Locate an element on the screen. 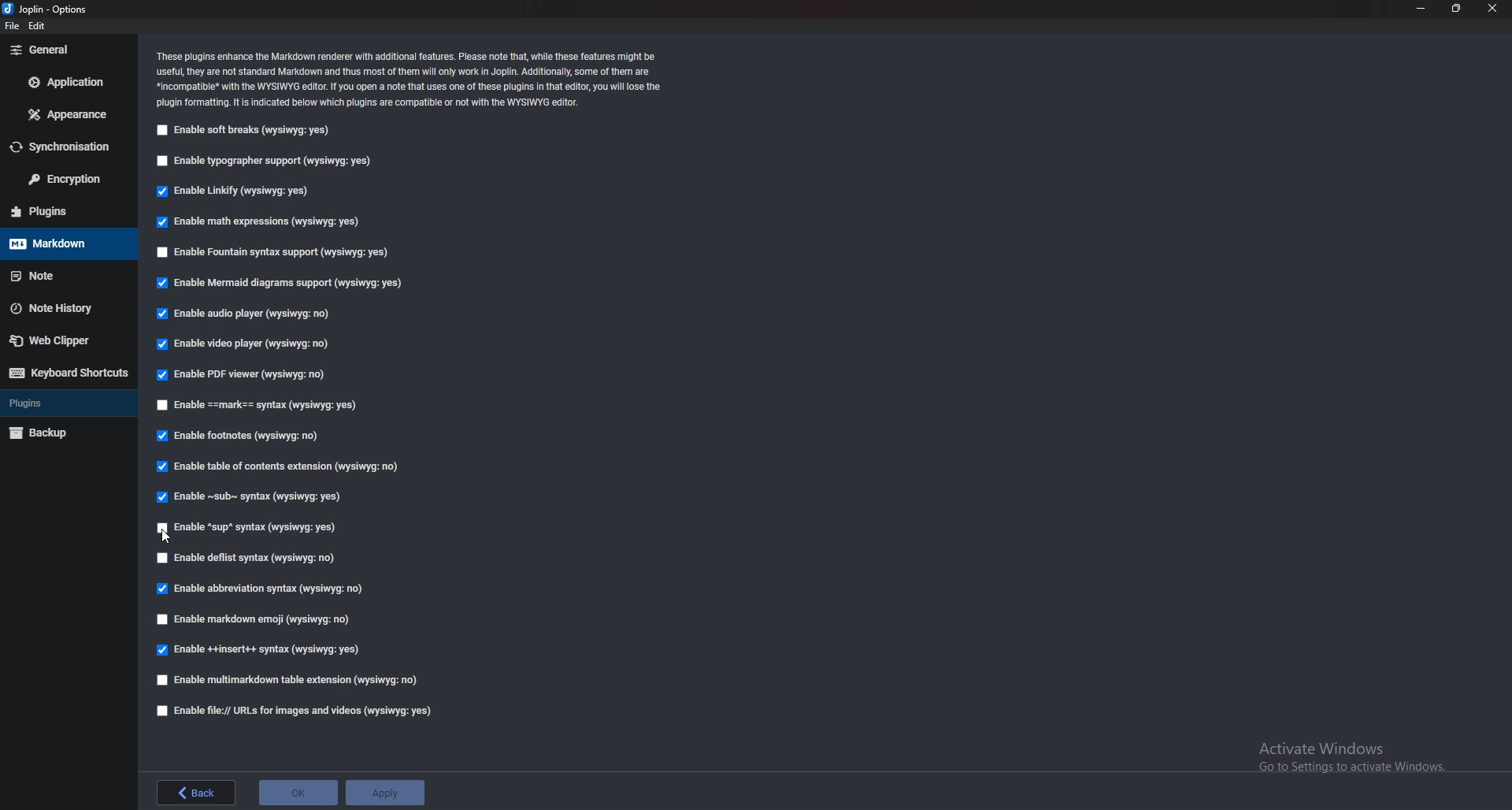 The height and width of the screenshot is (810, 1512). Info is located at coordinates (414, 78).